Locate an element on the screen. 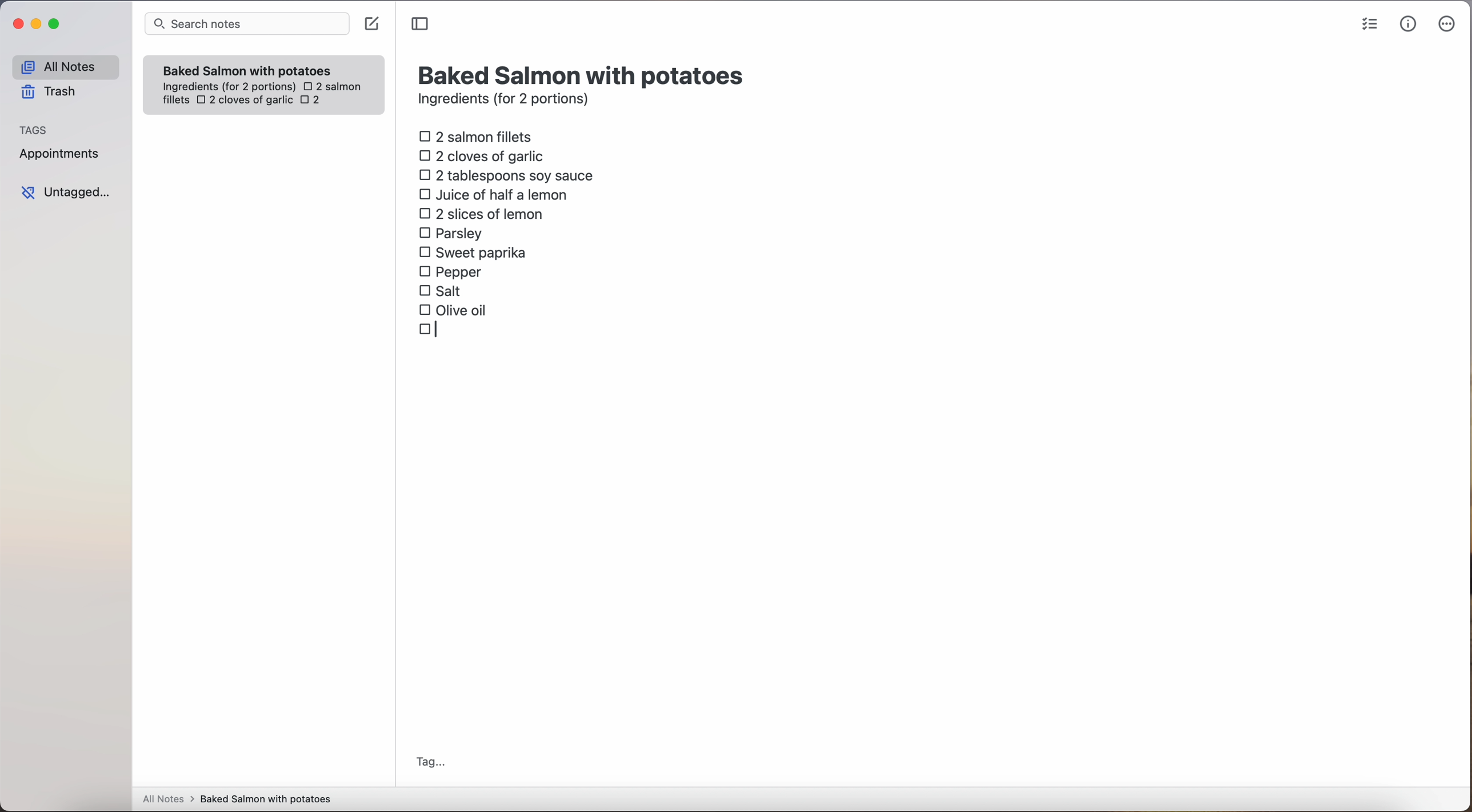 The height and width of the screenshot is (812, 1472). appointments tag is located at coordinates (61, 151).